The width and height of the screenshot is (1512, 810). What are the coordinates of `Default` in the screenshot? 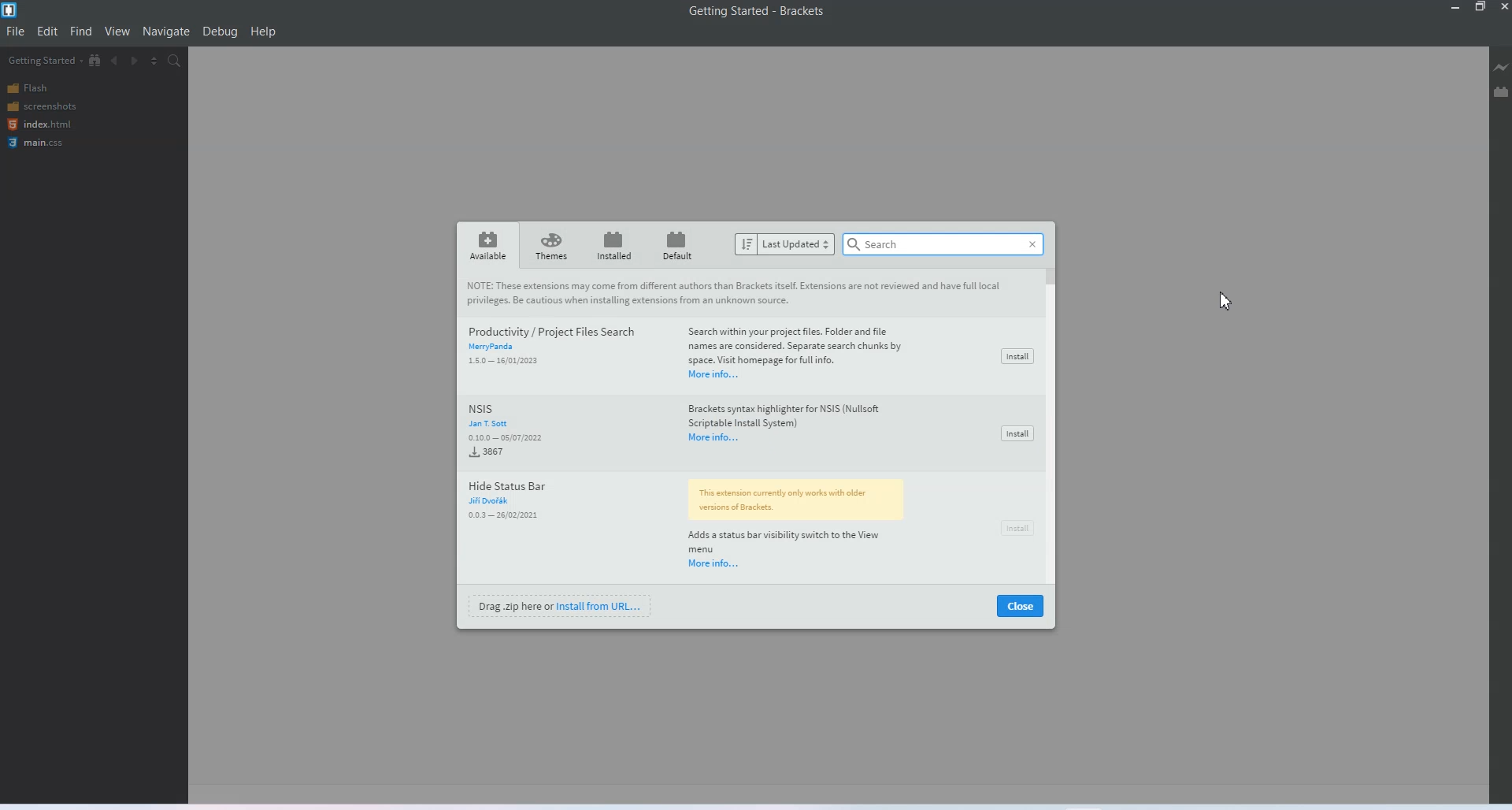 It's located at (677, 245).